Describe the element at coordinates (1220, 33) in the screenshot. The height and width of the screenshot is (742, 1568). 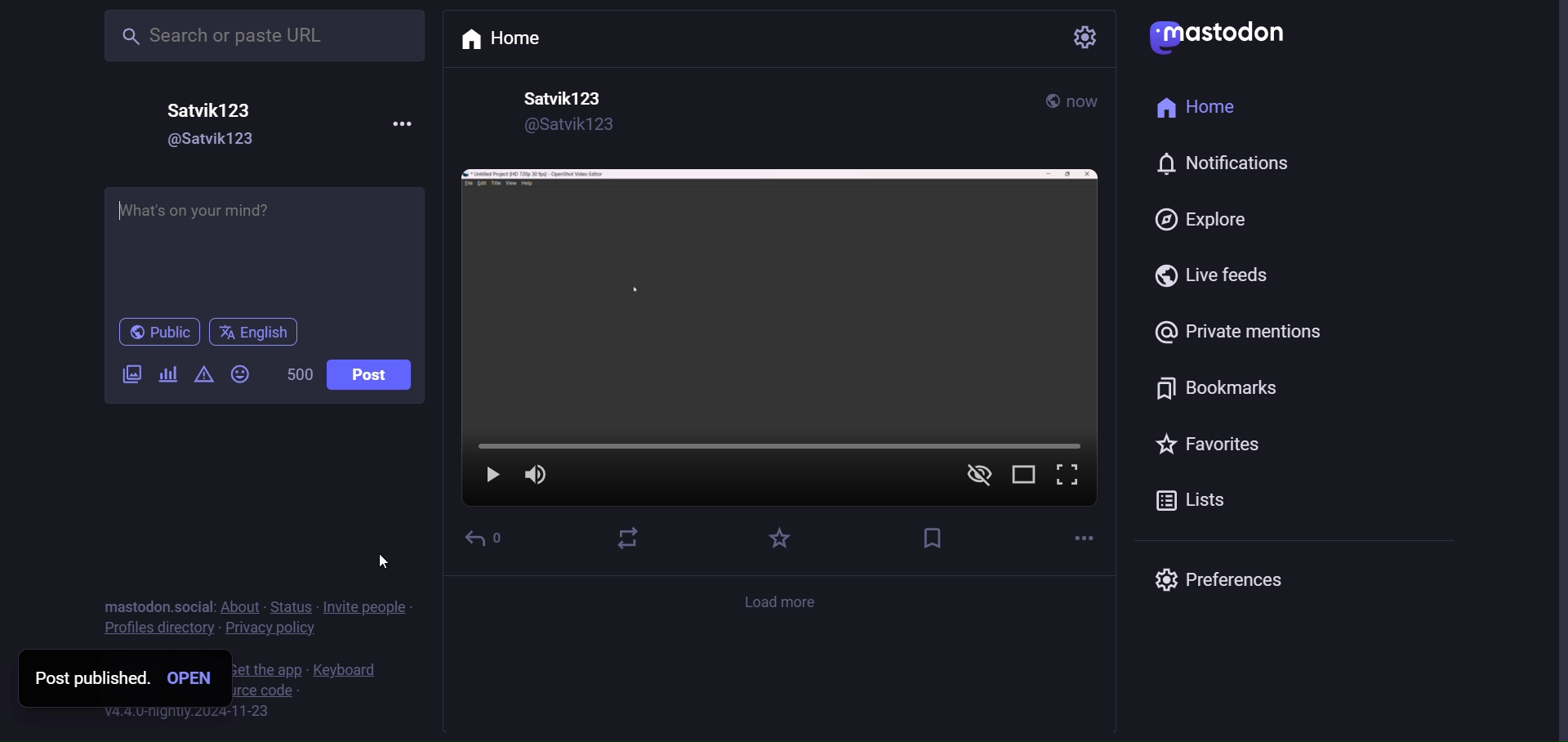
I see `mastodon` at that location.